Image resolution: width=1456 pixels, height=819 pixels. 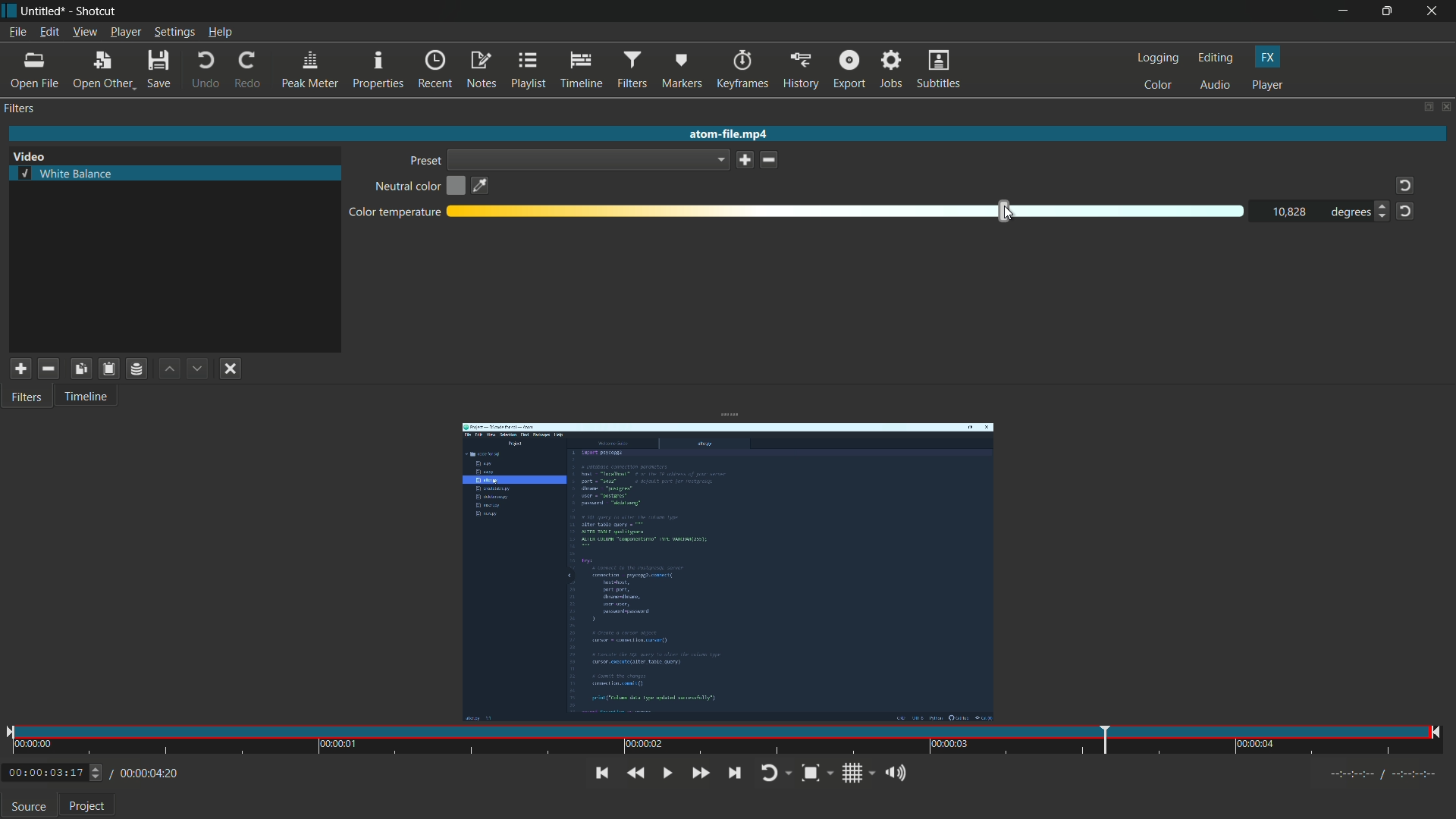 I want to click on player menu, so click(x=126, y=32).